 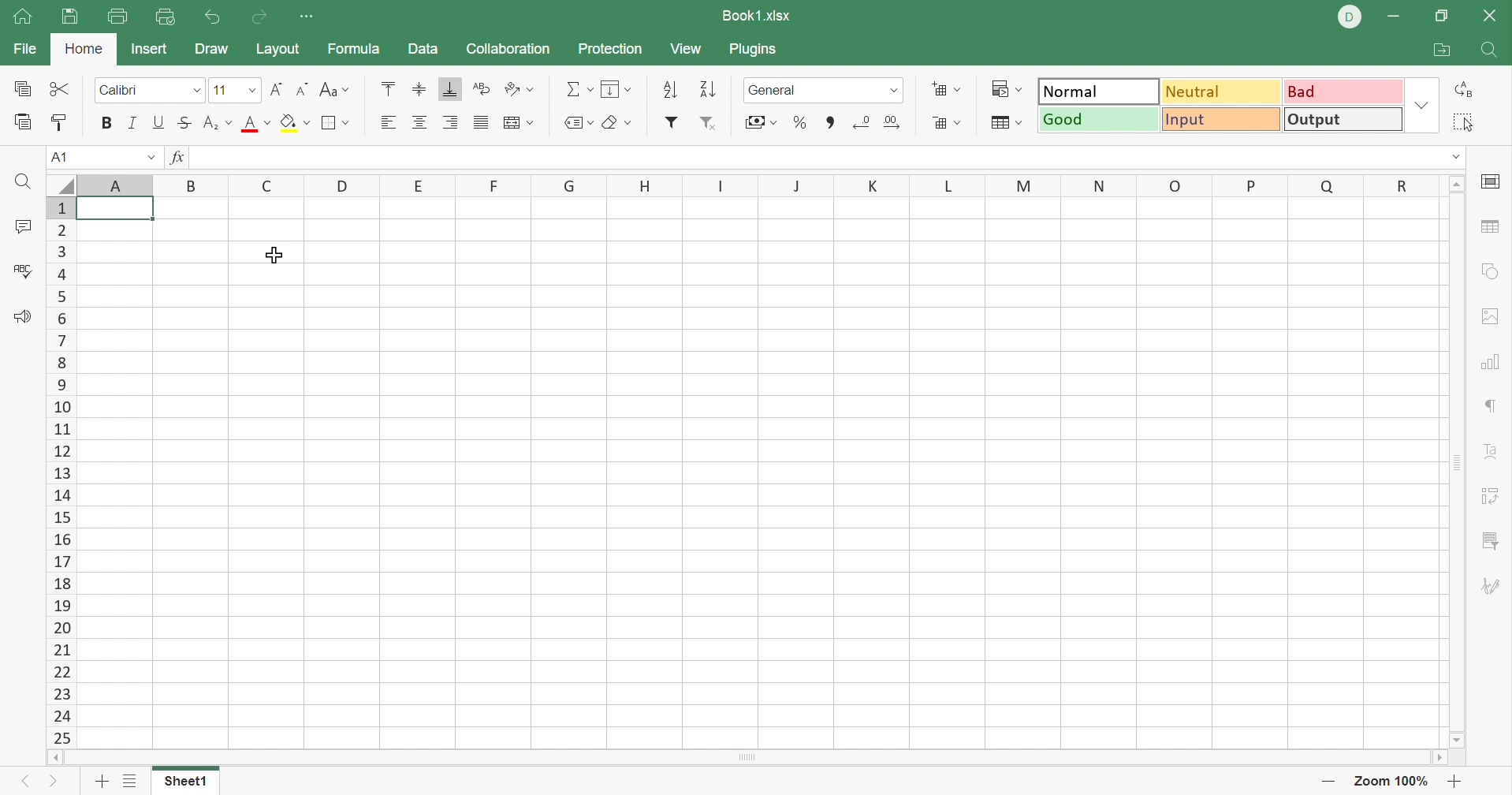 I want to click on Drop Down, so click(x=197, y=90).